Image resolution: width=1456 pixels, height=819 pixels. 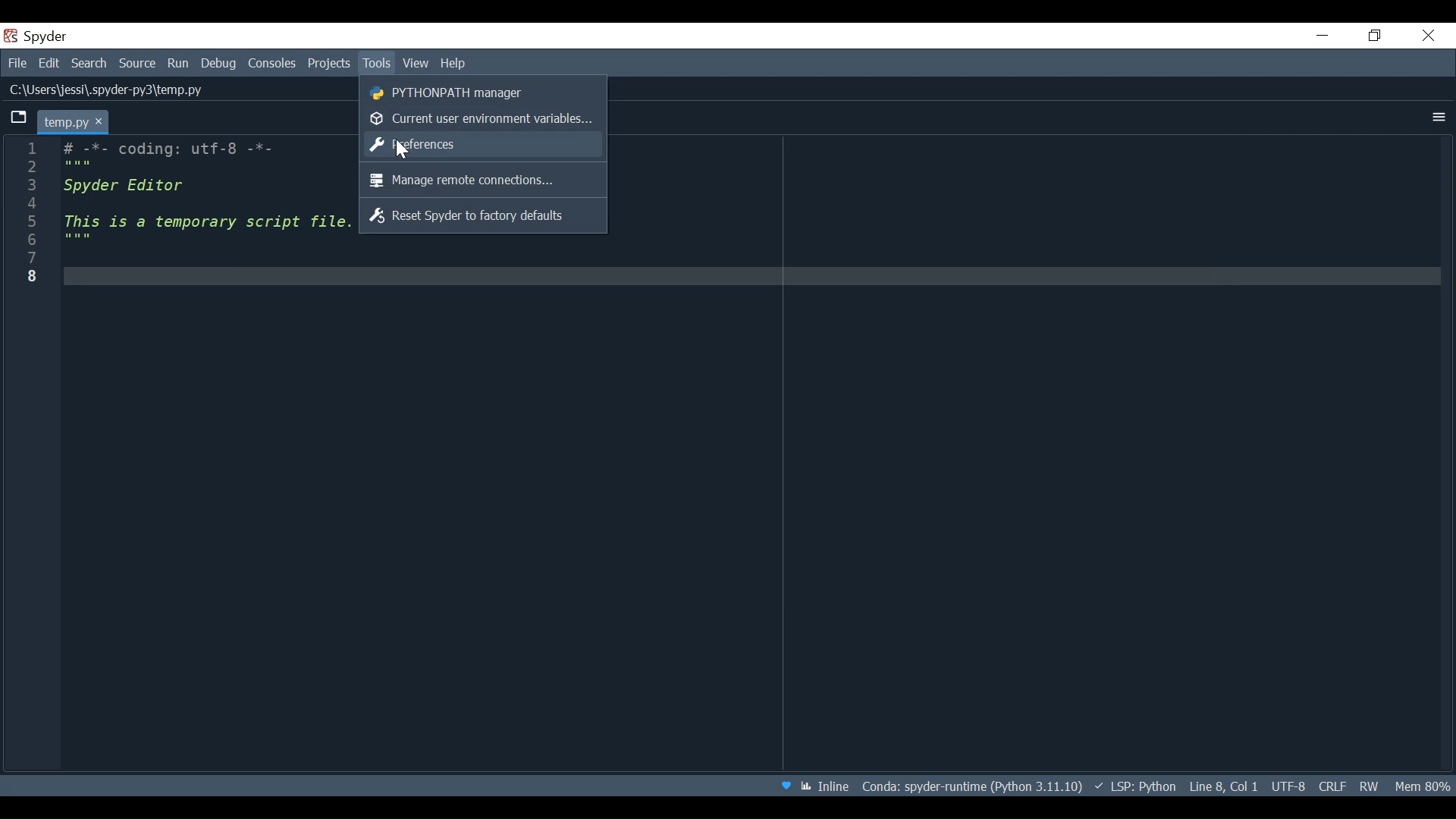 I want to click on Browse Tab, so click(x=19, y=118).